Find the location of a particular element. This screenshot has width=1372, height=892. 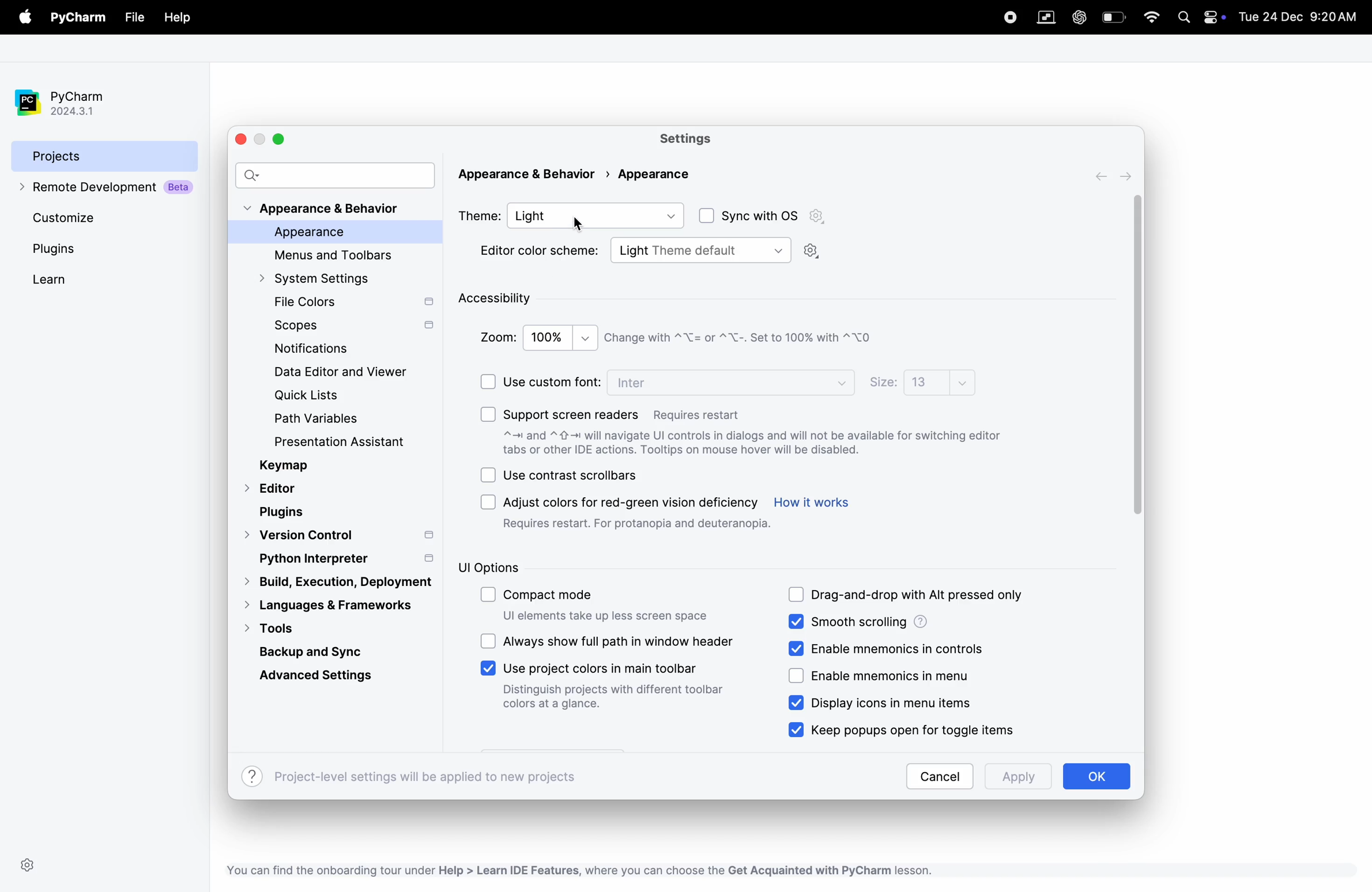

advance settings is located at coordinates (323, 675).